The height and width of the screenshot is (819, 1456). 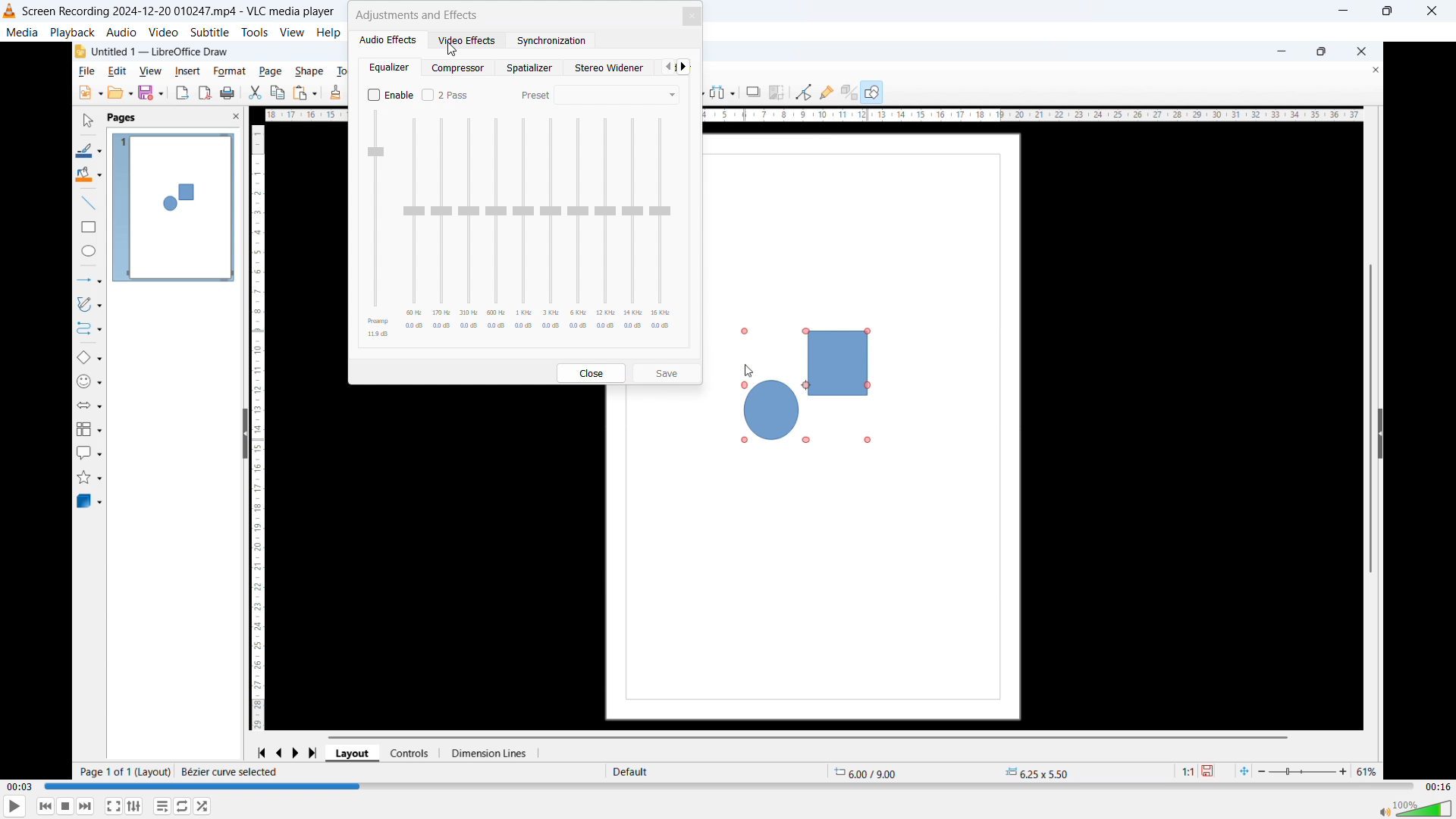 What do you see at coordinates (133, 807) in the screenshot?
I see `Show extended settings` at bounding box center [133, 807].